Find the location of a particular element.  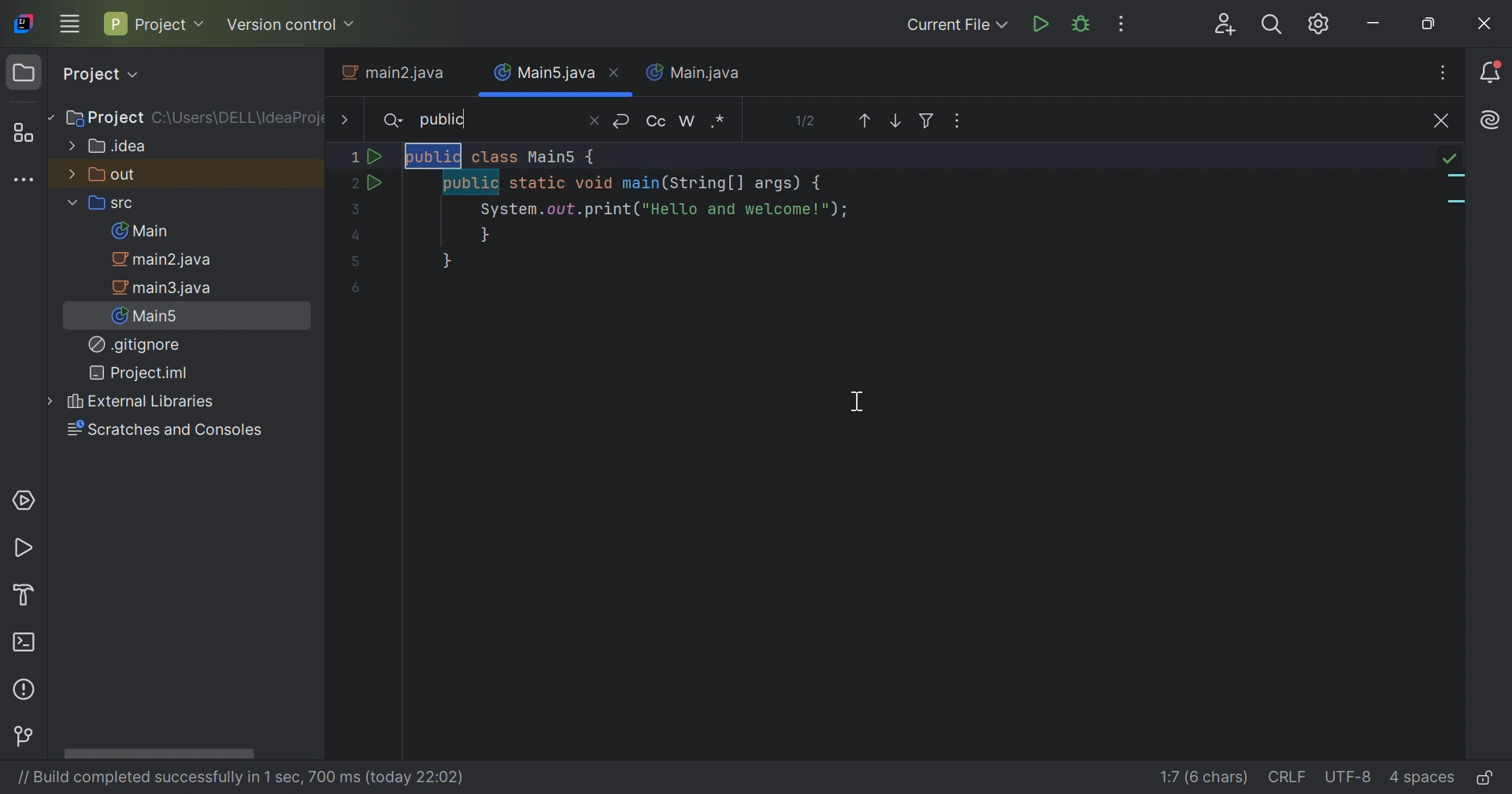

Notifications is located at coordinates (1494, 74).